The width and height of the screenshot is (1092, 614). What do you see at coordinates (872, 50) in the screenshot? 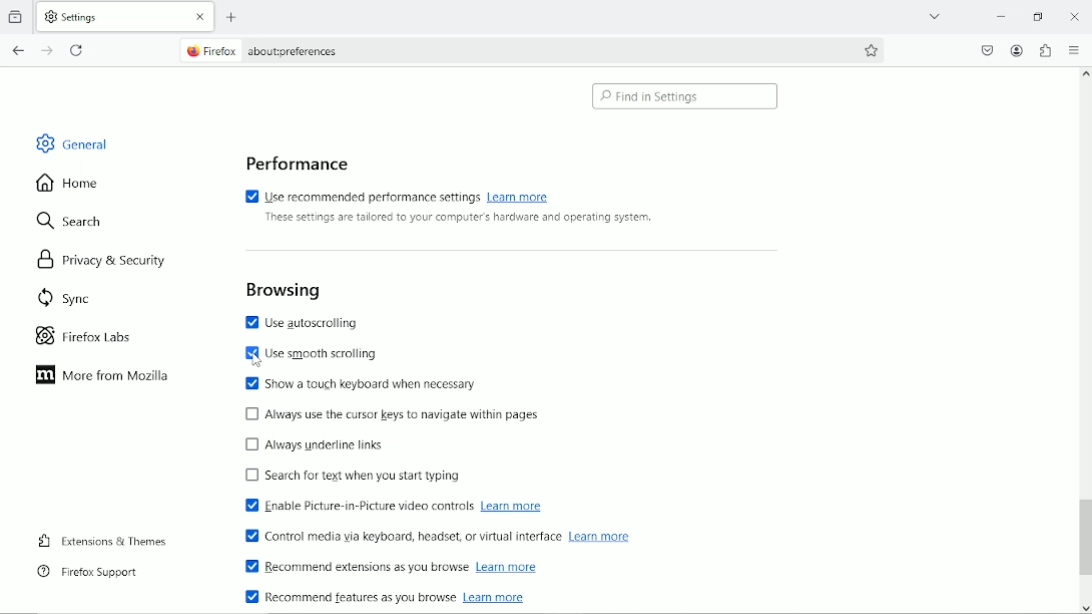
I see `Bookmark this page` at bounding box center [872, 50].